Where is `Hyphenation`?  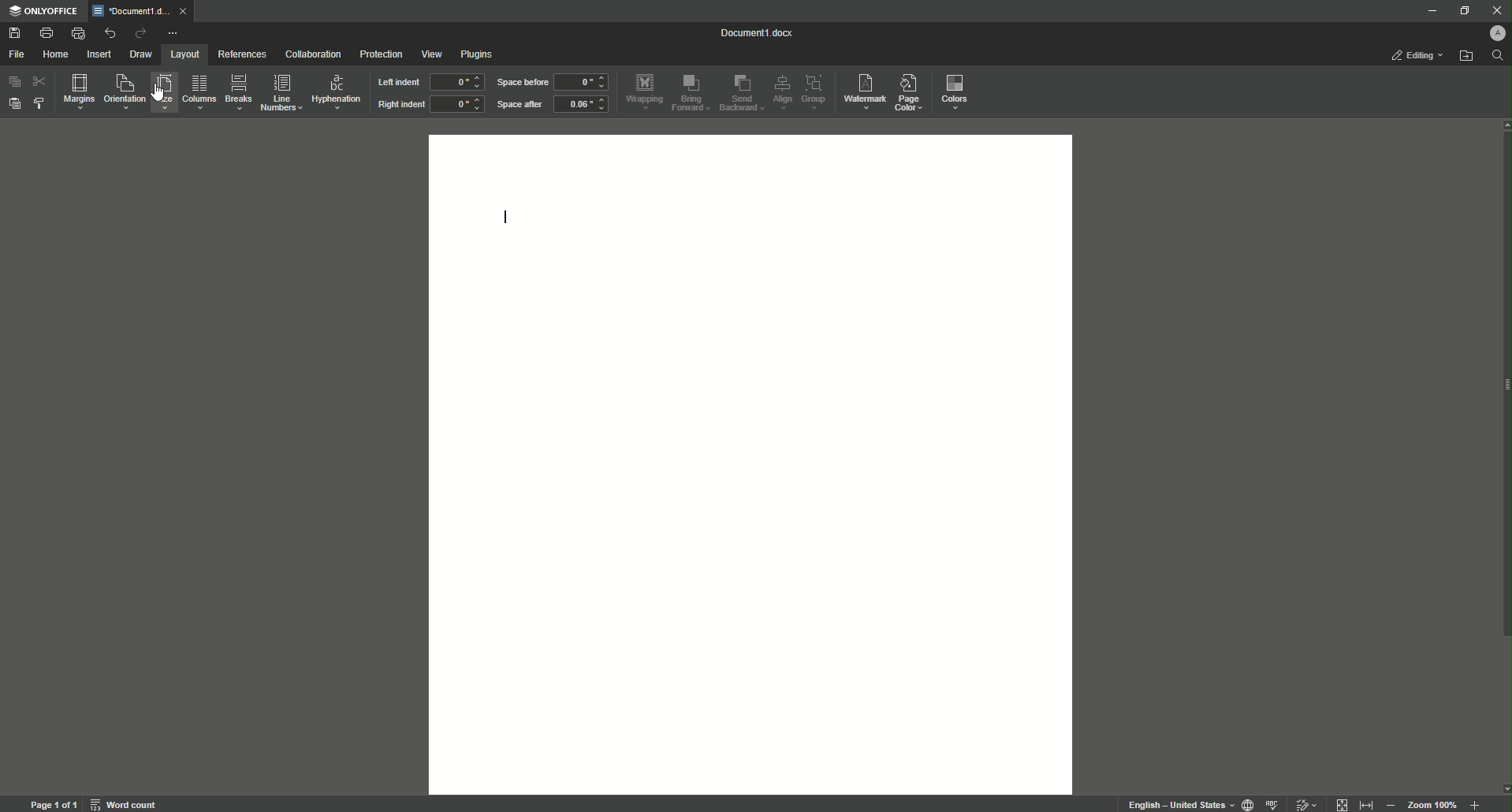 Hyphenation is located at coordinates (337, 91).